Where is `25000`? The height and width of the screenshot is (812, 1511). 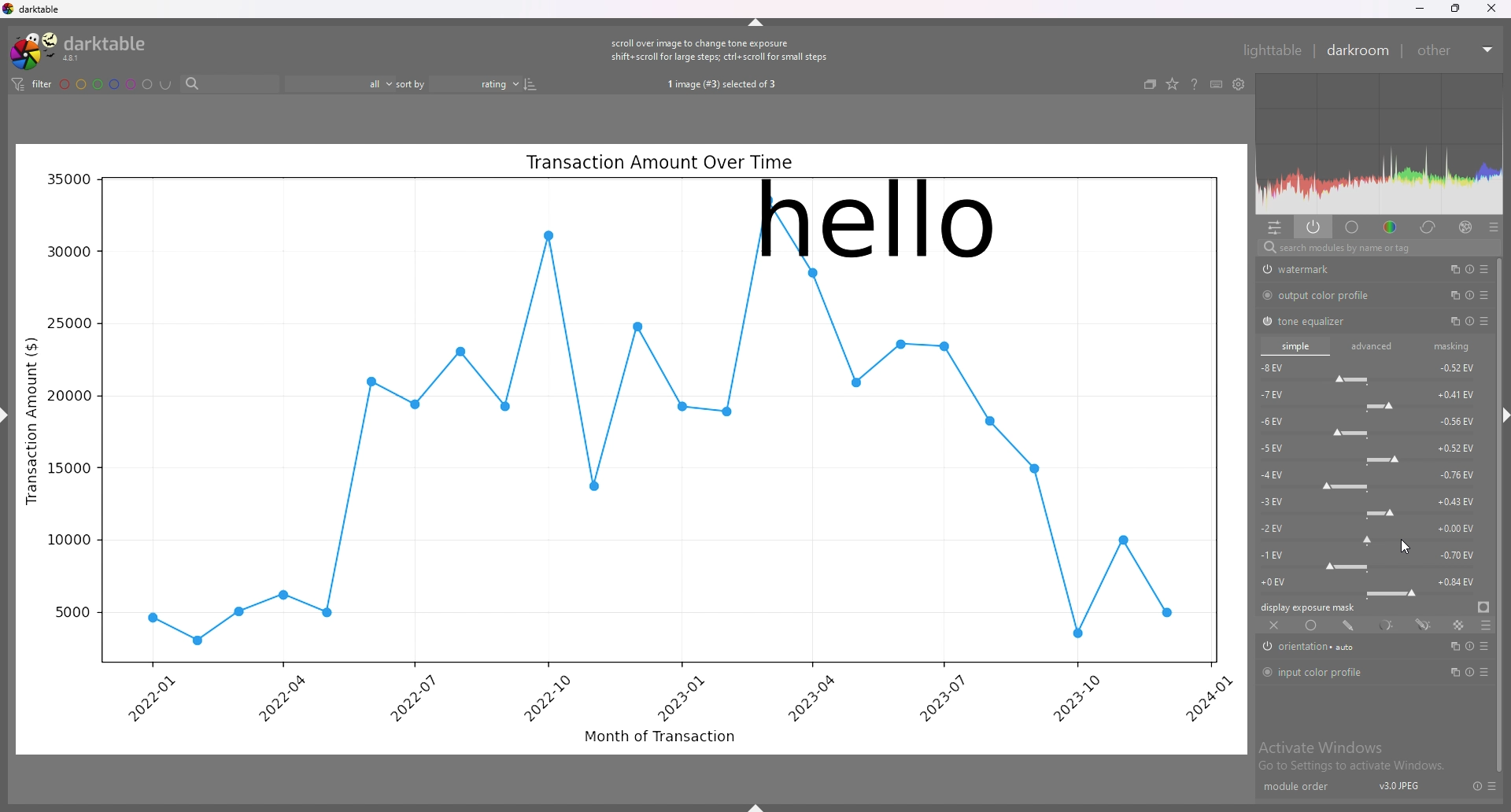 25000 is located at coordinates (68, 322).